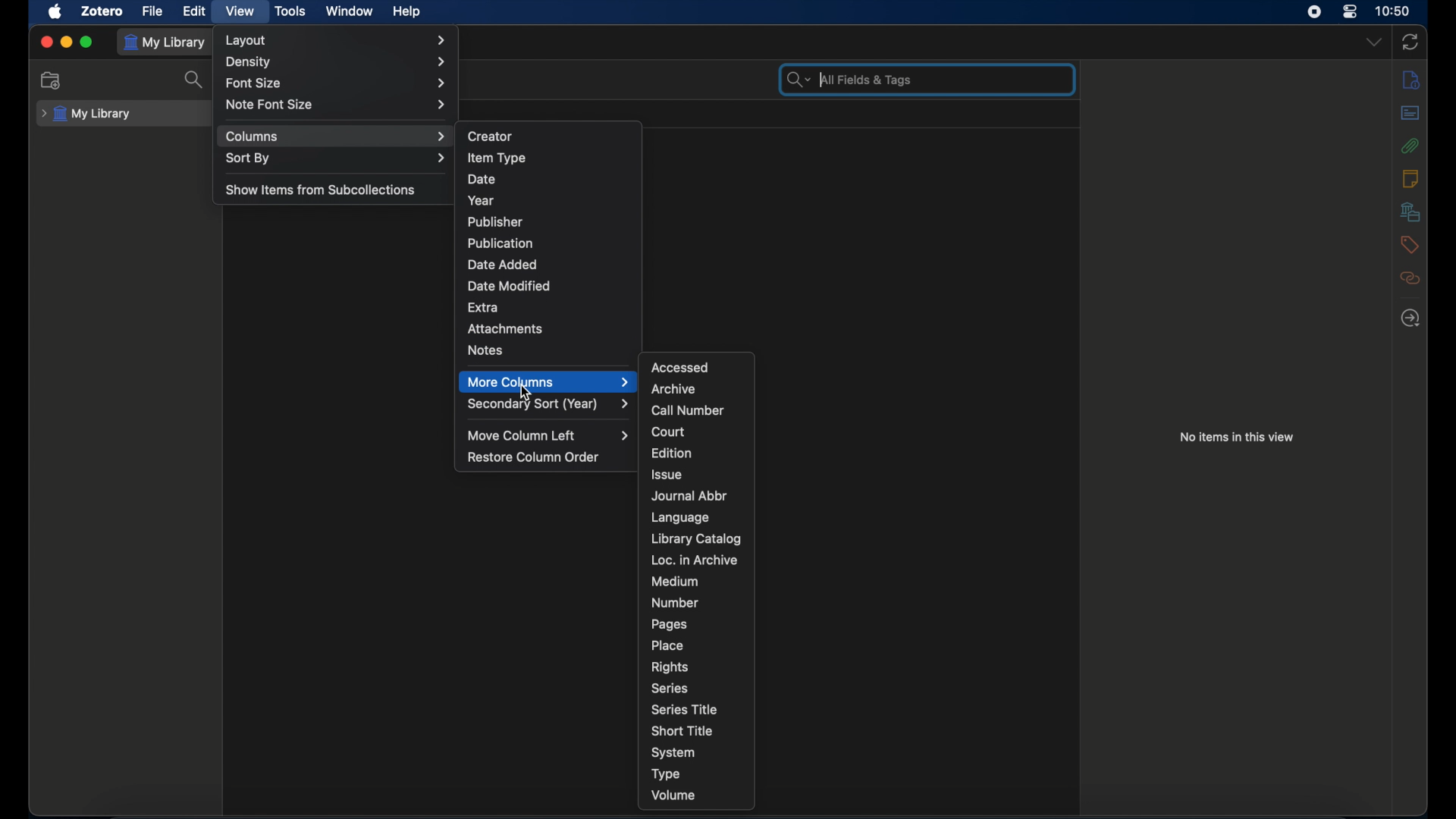 This screenshot has height=819, width=1456. Describe the element at coordinates (548, 383) in the screenshot. I see `more columns` at that location.